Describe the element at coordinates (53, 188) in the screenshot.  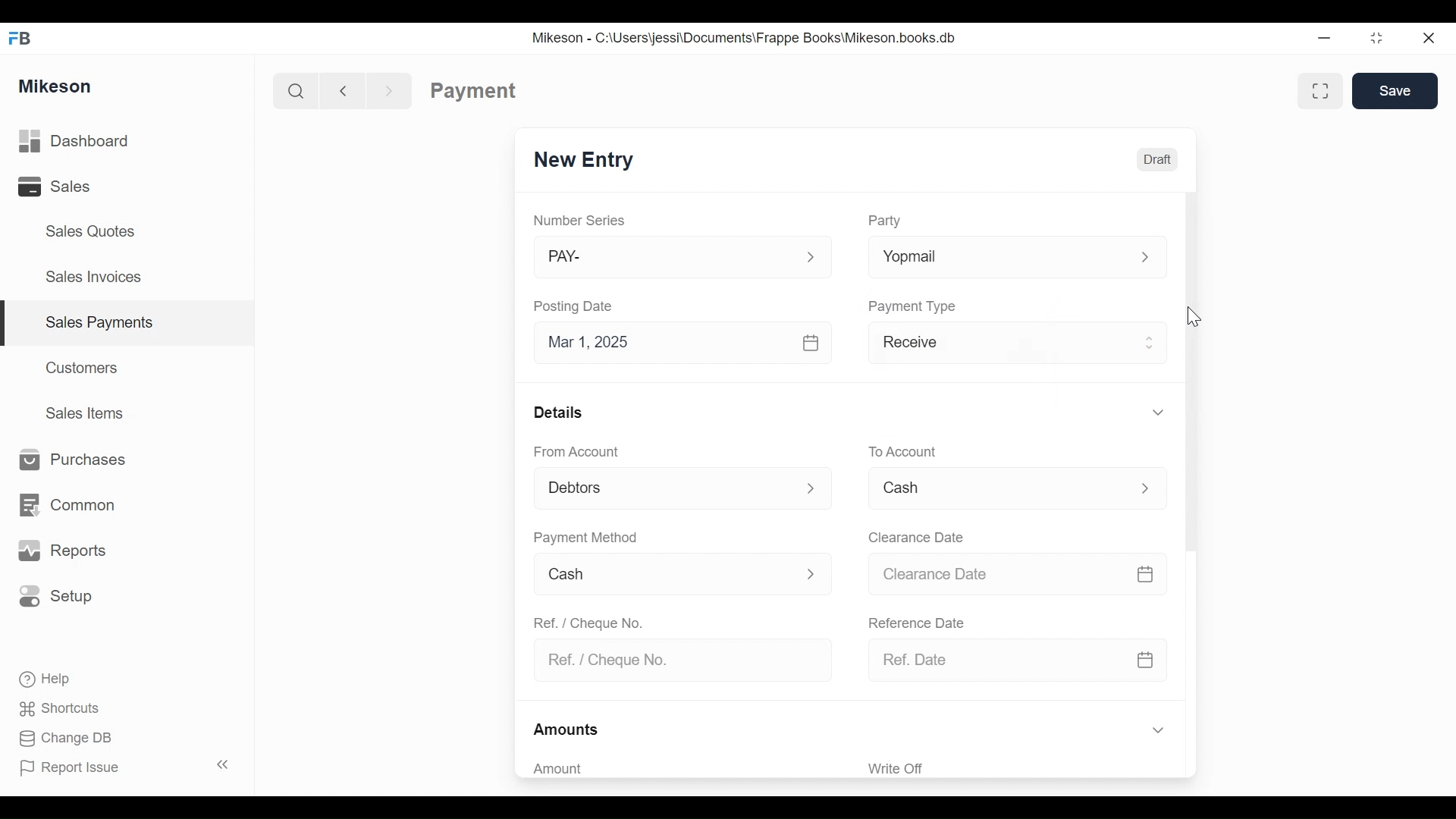
I see `Sales` at that location.